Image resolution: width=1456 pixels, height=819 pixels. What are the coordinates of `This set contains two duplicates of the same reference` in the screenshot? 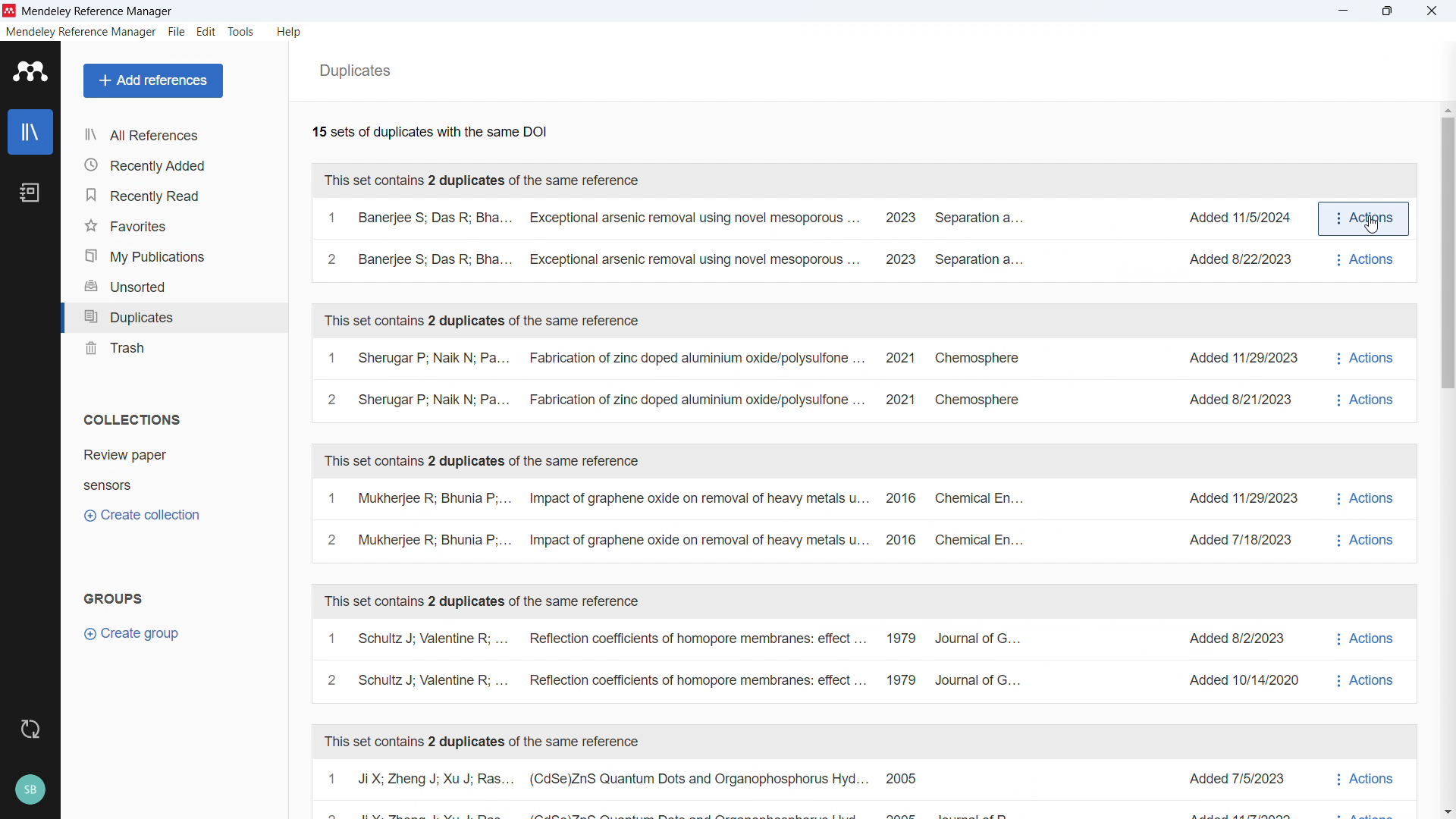 It's located at (482, 742).